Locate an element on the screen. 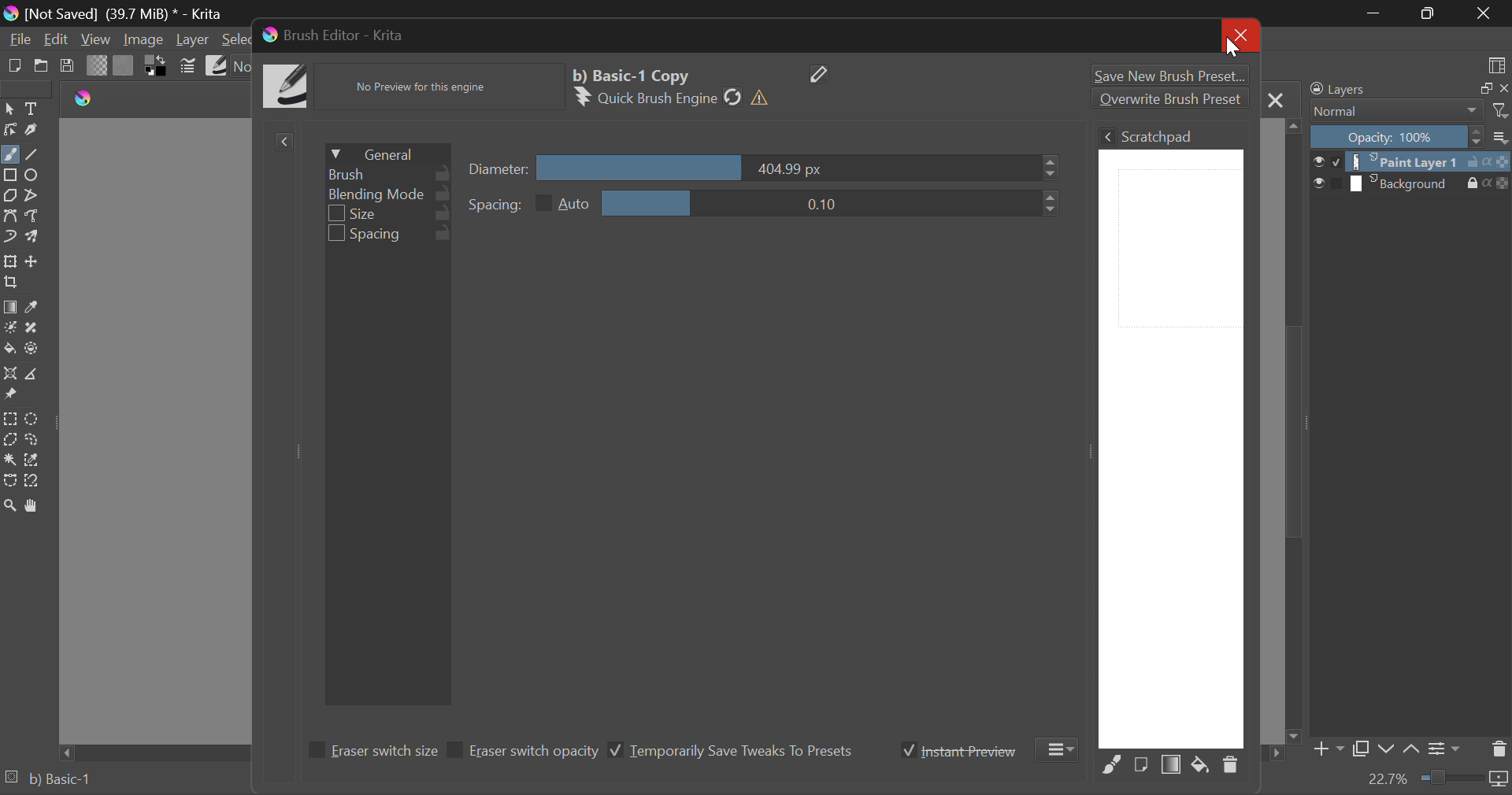 The width and height of the screenshot is (1512, 795). More Options is located at coordinates (1060, 749).